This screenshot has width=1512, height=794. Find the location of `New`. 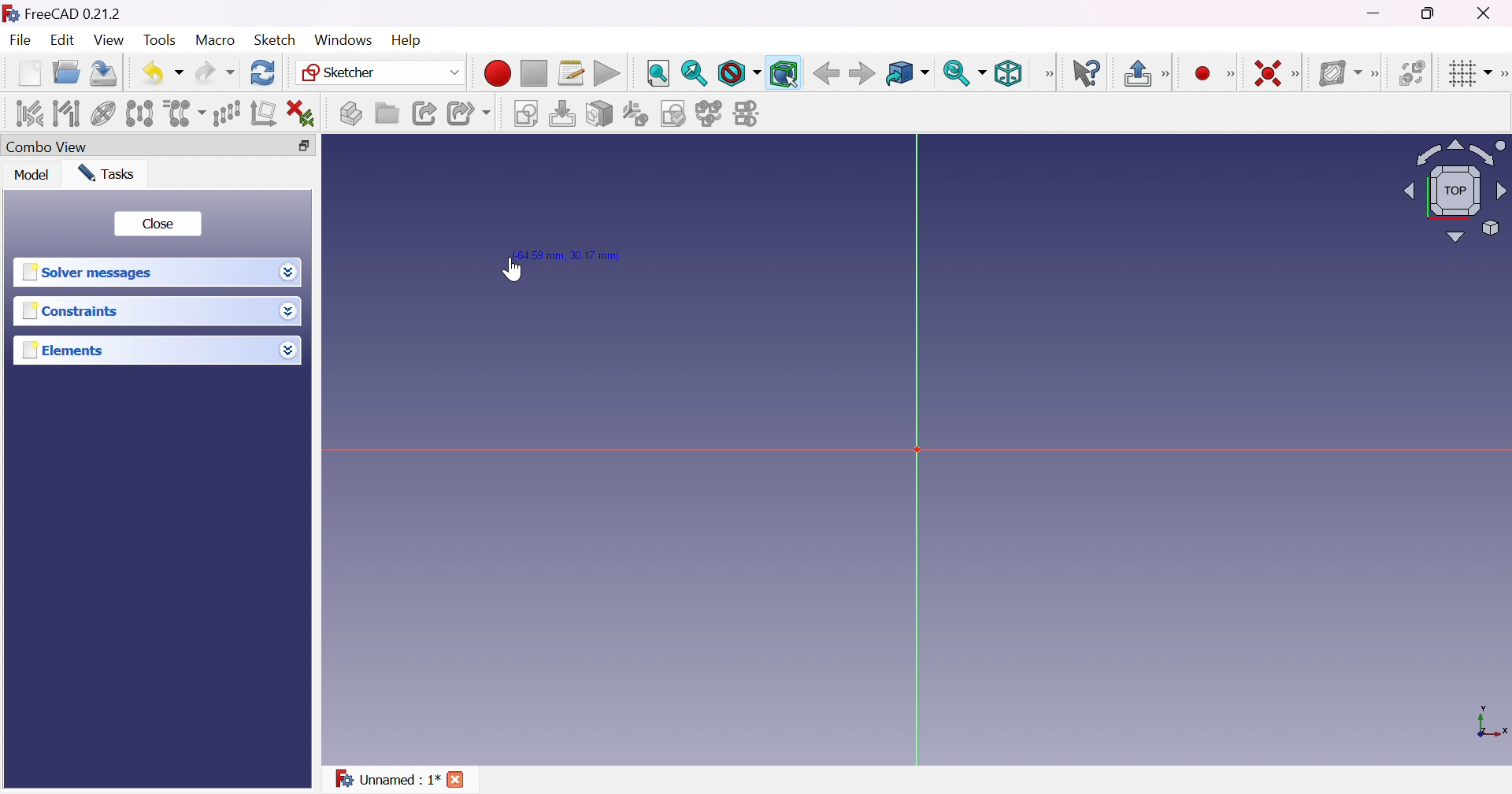

New is located at coordinates (29, 73).